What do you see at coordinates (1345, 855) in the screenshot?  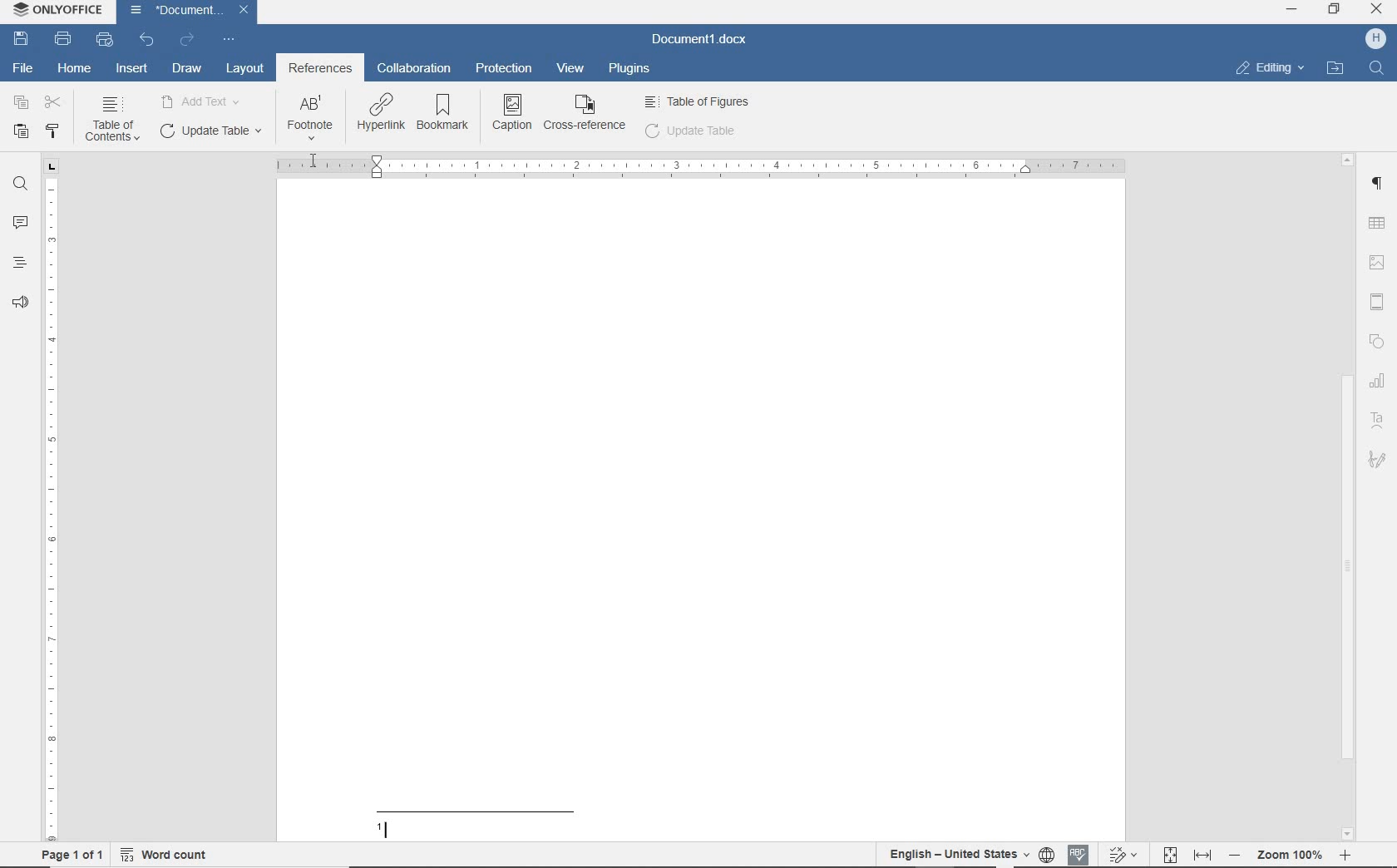 I see `zoom in` at bounding box center [1345, 855].